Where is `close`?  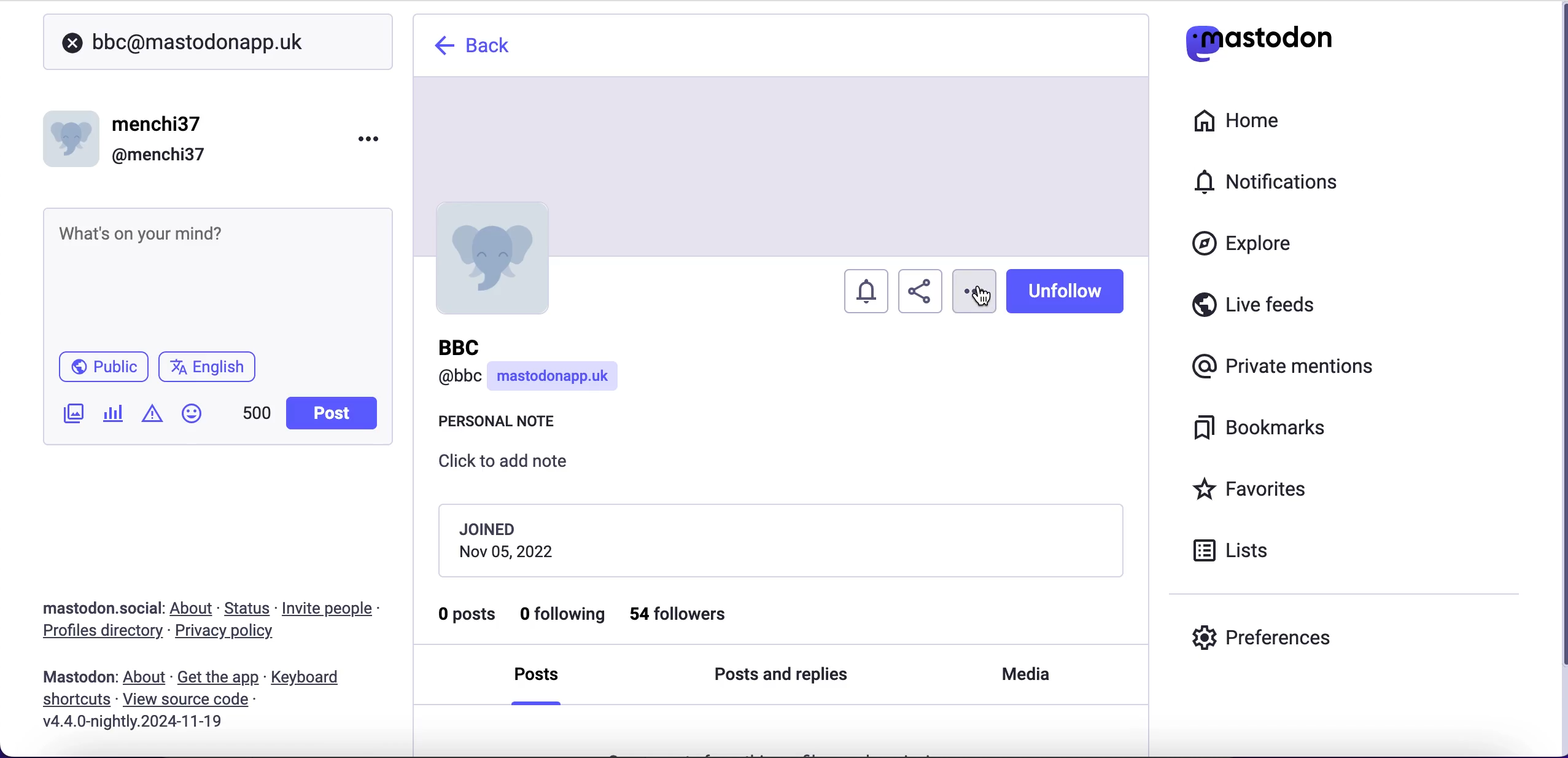 close is located at coordinates (72, 44).